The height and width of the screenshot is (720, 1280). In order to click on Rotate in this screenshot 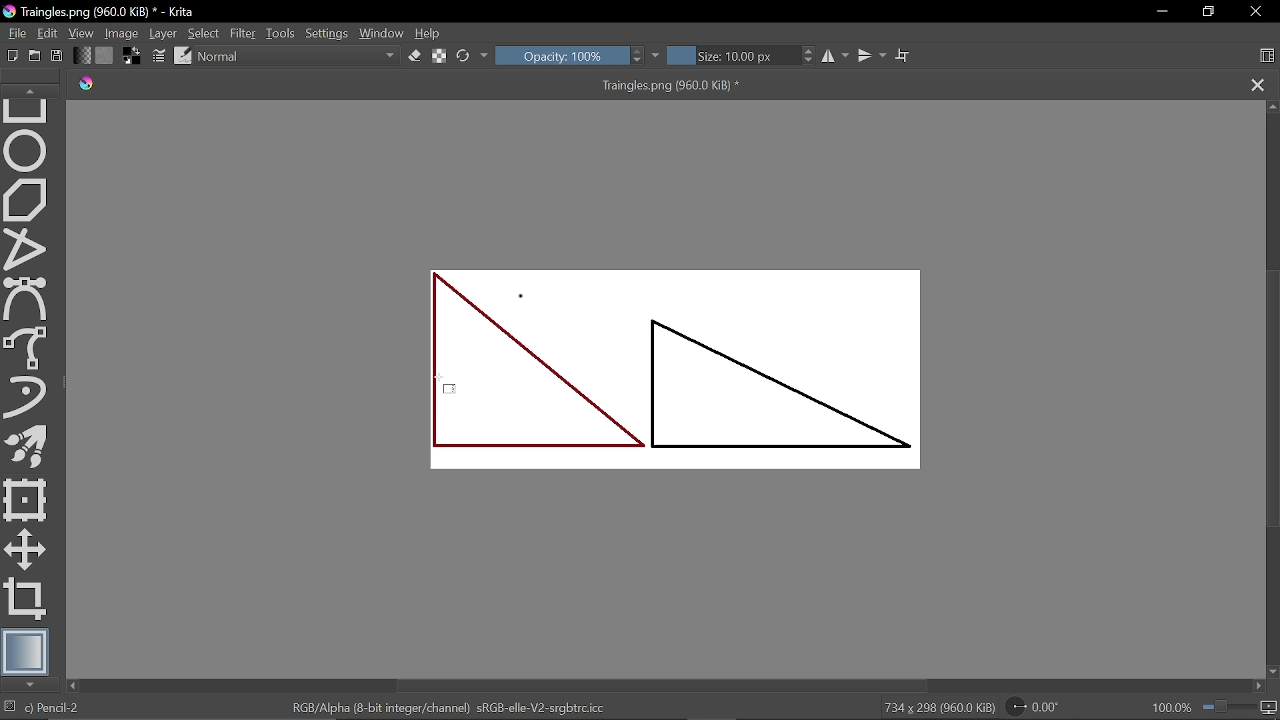, I will do `click(1038, 706)`.